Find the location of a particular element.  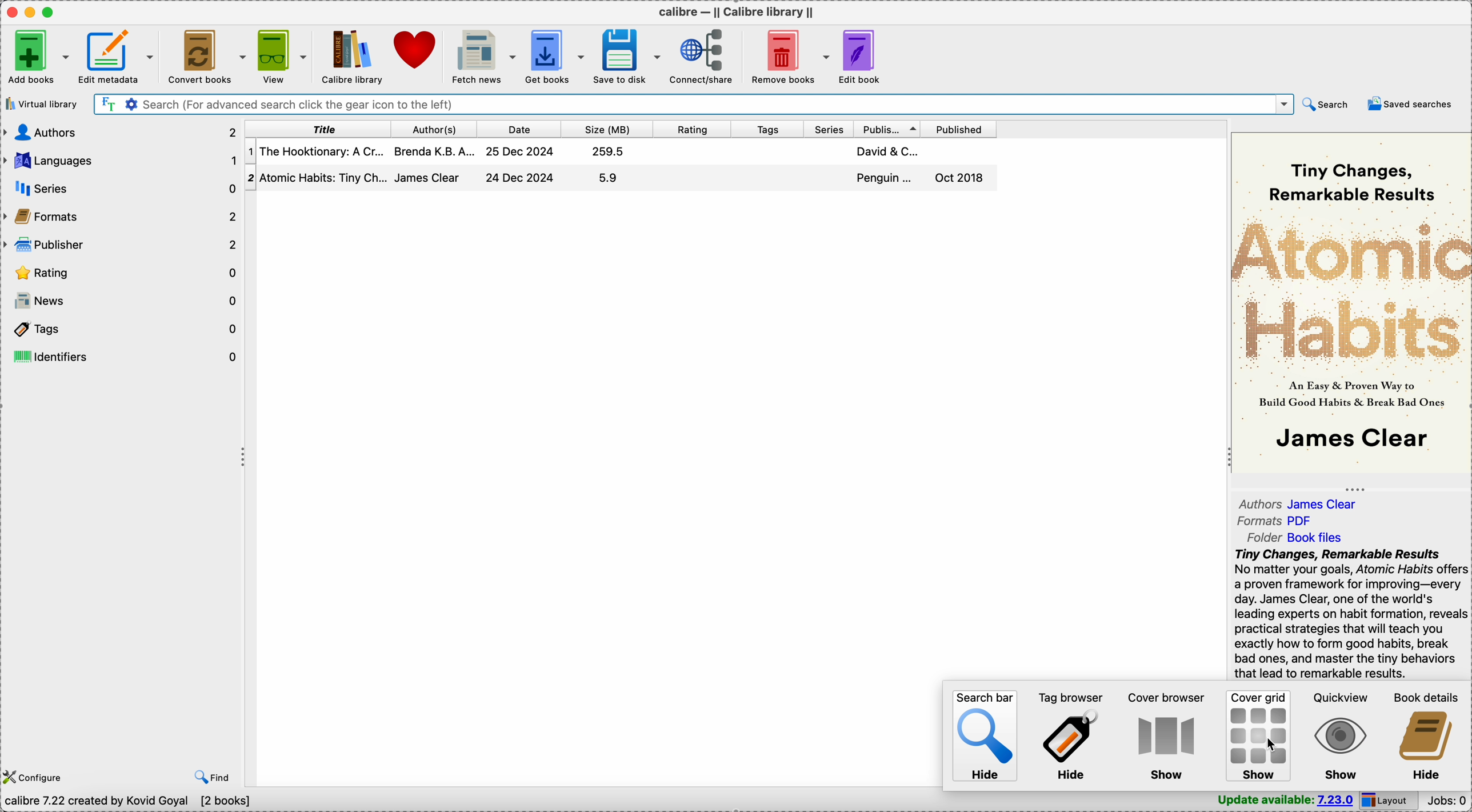

click on cover grid is located at coordinates (1258, 733).